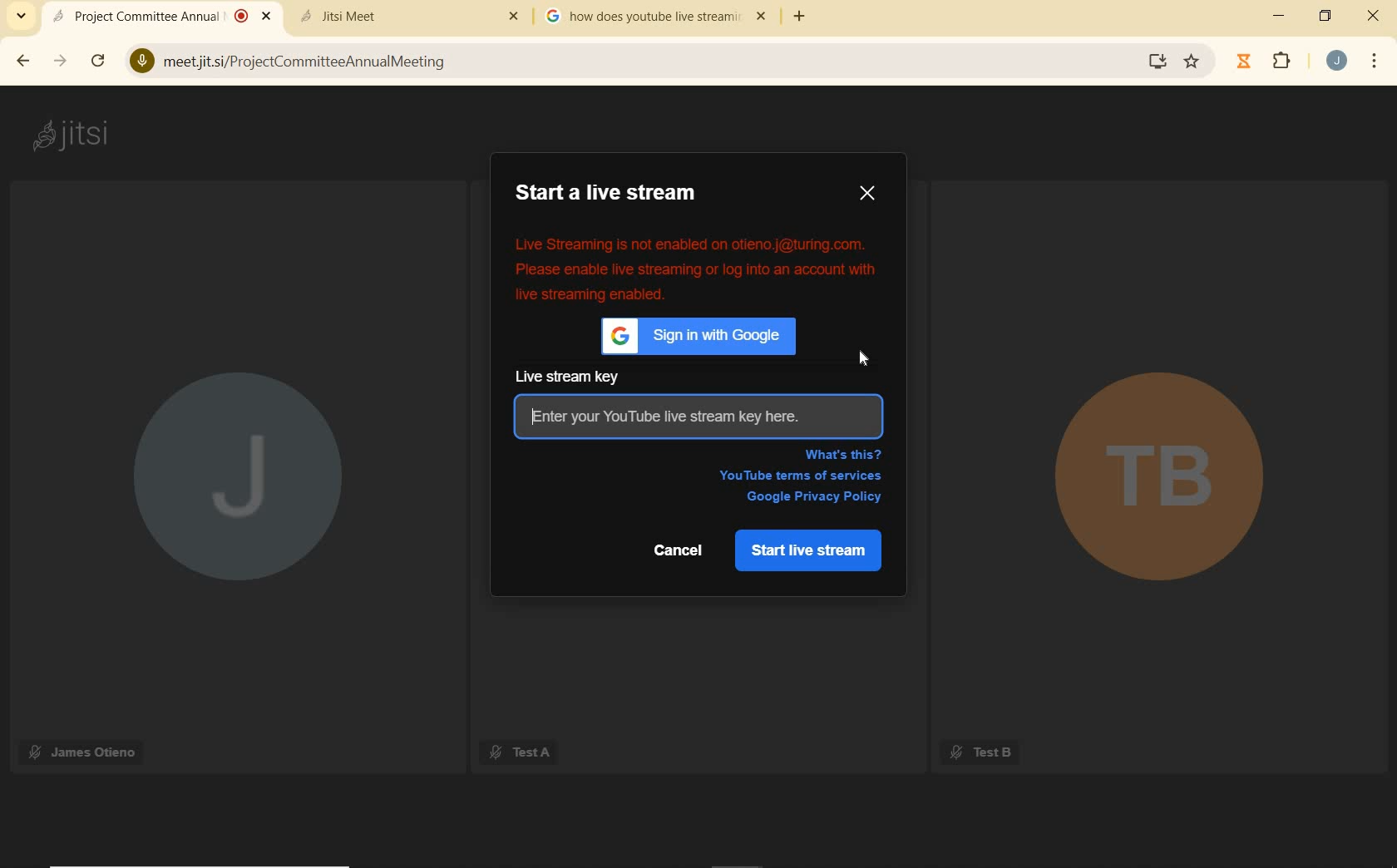 The width and height of the screenshot is (1397, 868). What do you see at coordinates (141, 62) in the screenshot?
I see `Microphone` at bounding box center [141, 62].